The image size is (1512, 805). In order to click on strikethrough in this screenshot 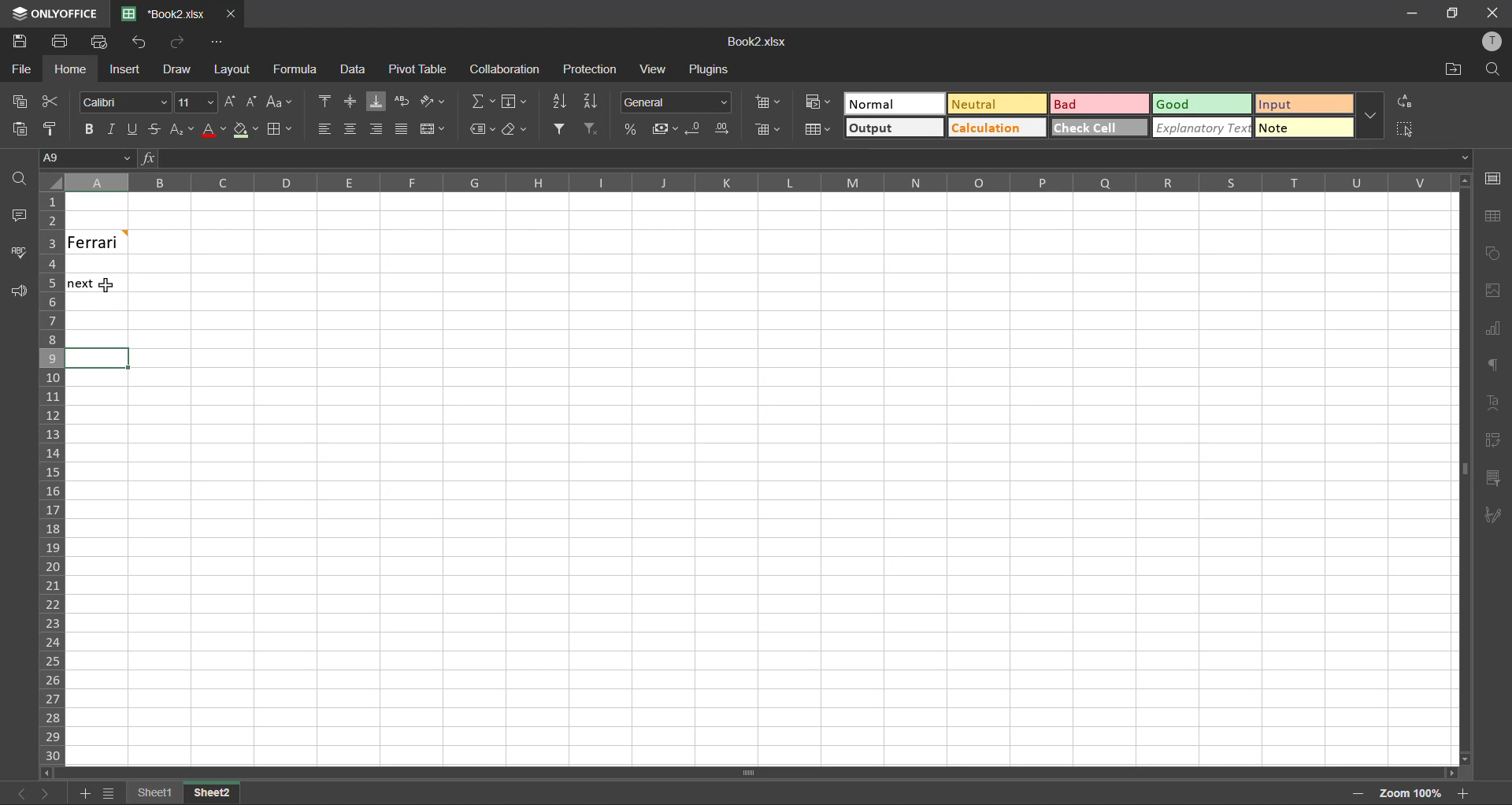, I will do `click(154, 130)`.